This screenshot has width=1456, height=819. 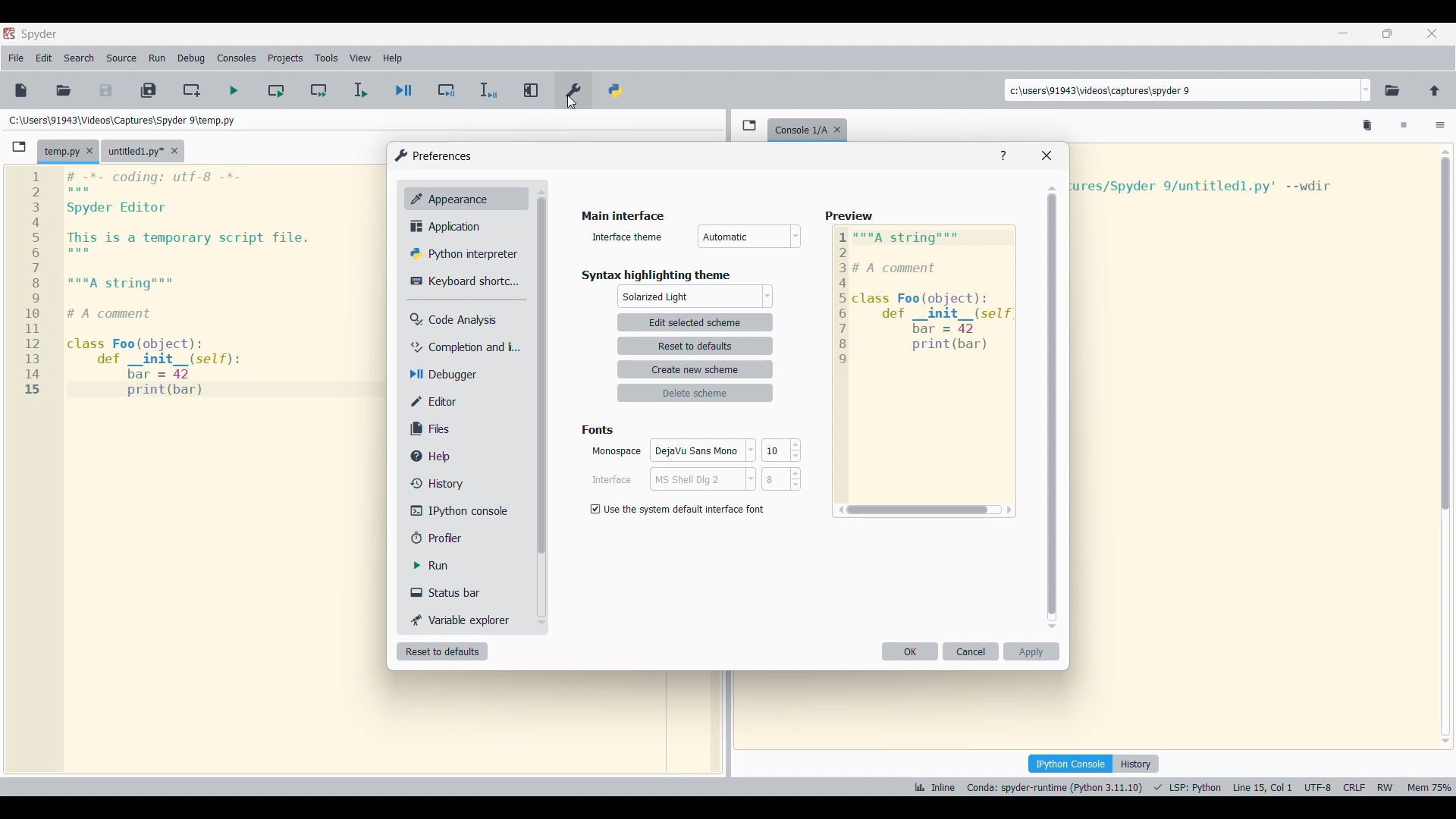 What do you see at coordinates (447, 91) in the screenshot?
I see `Debug cell` at bounding box center [447, 91].